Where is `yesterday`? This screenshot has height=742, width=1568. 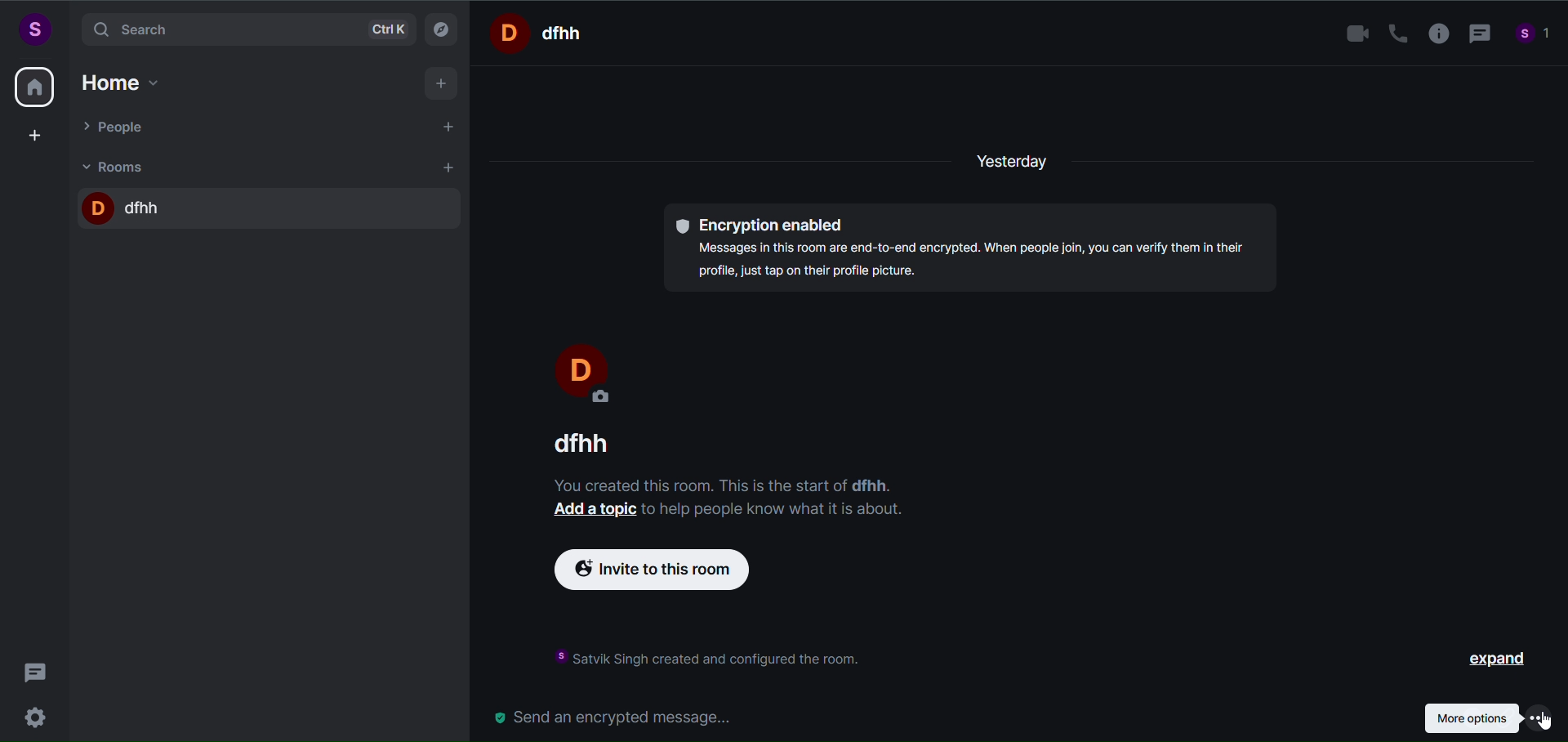
yesterday is located at coordinates (1019, 163).